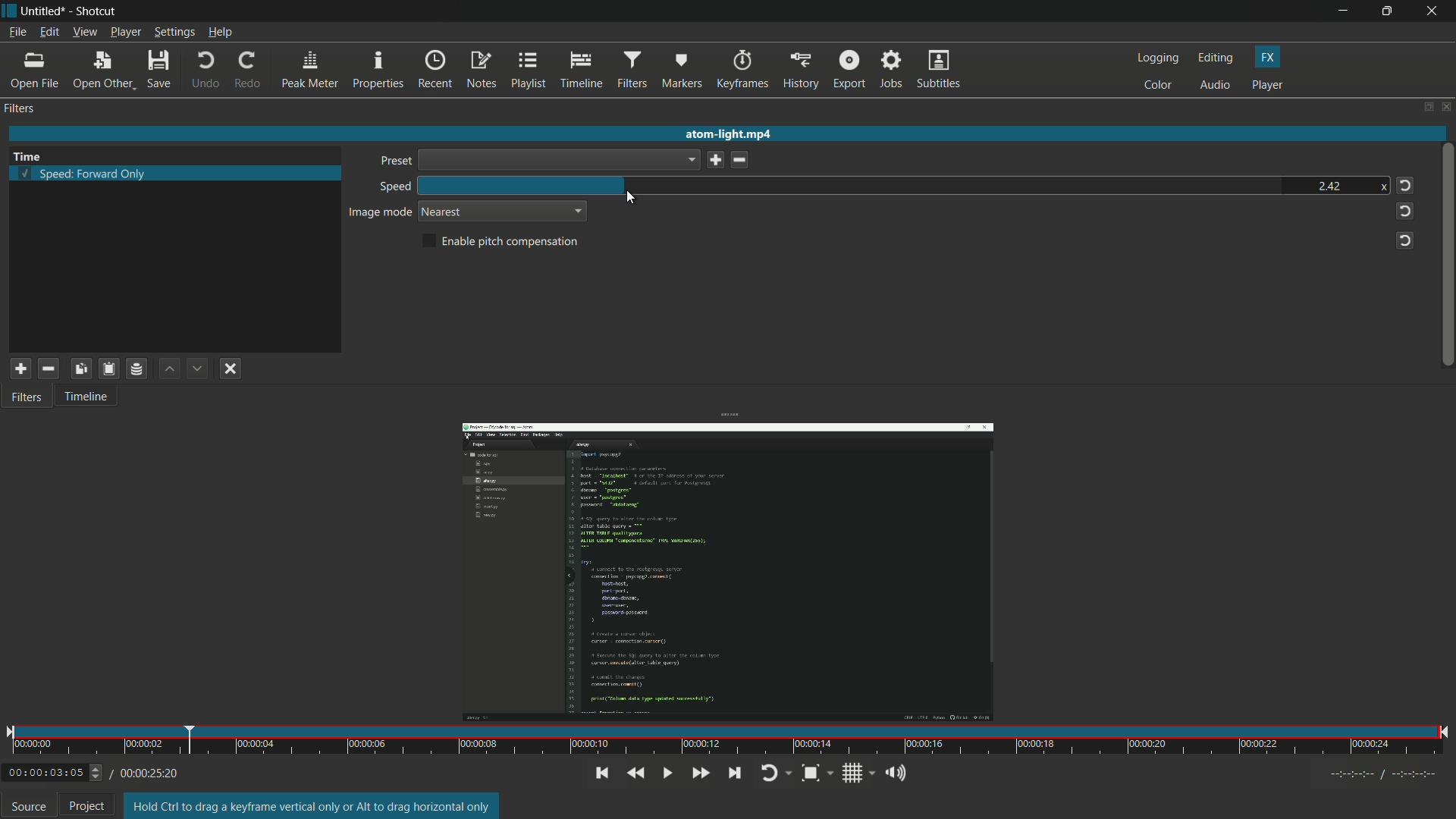  What do you see at coordinates (29, 806) in the screenshot?
I see `source` at bounding box center [29, 806].